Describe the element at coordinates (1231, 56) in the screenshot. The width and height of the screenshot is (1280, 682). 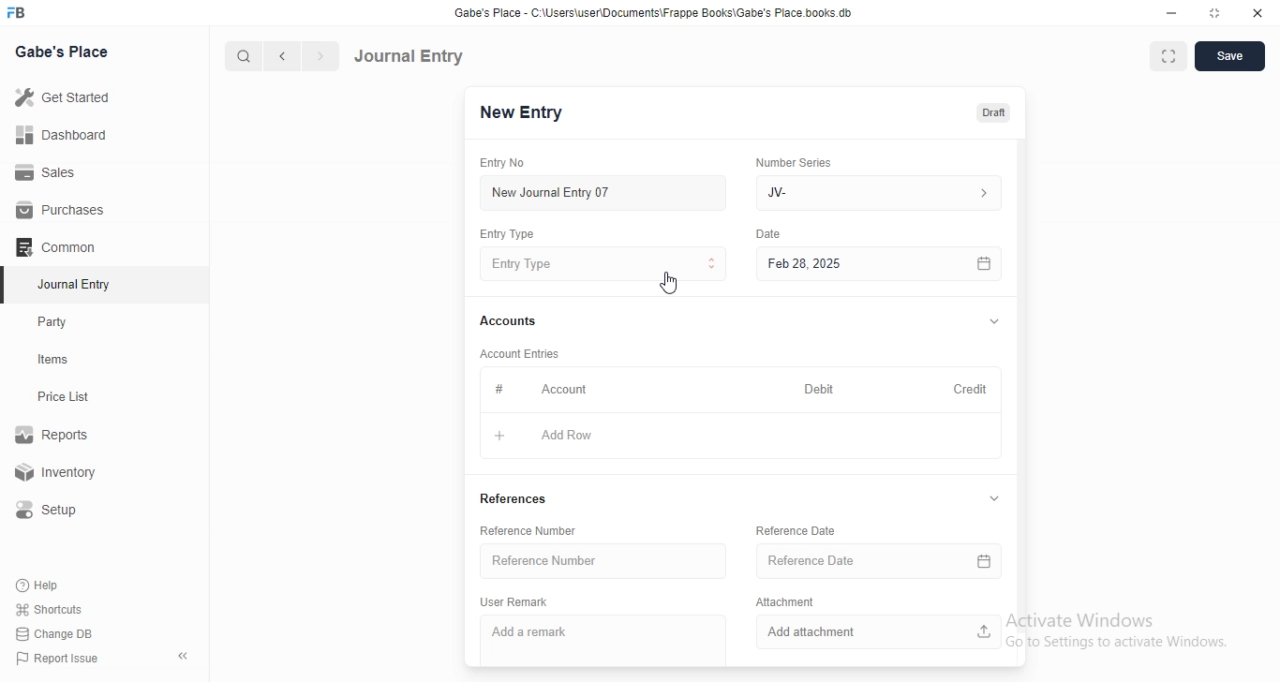
I see `save` at that location.